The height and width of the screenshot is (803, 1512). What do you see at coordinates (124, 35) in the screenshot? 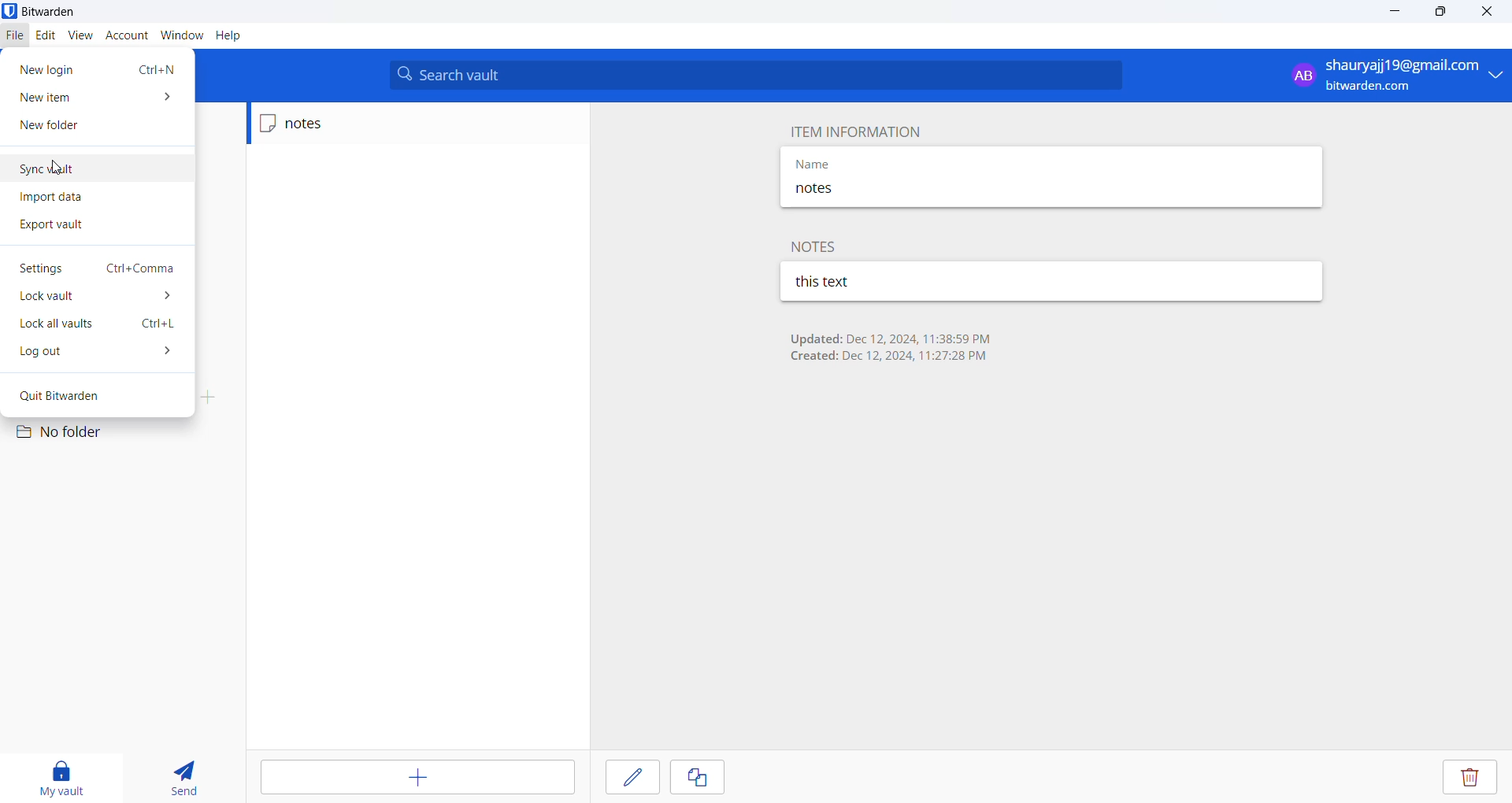
I see `account` at bounding box center [124, 35].